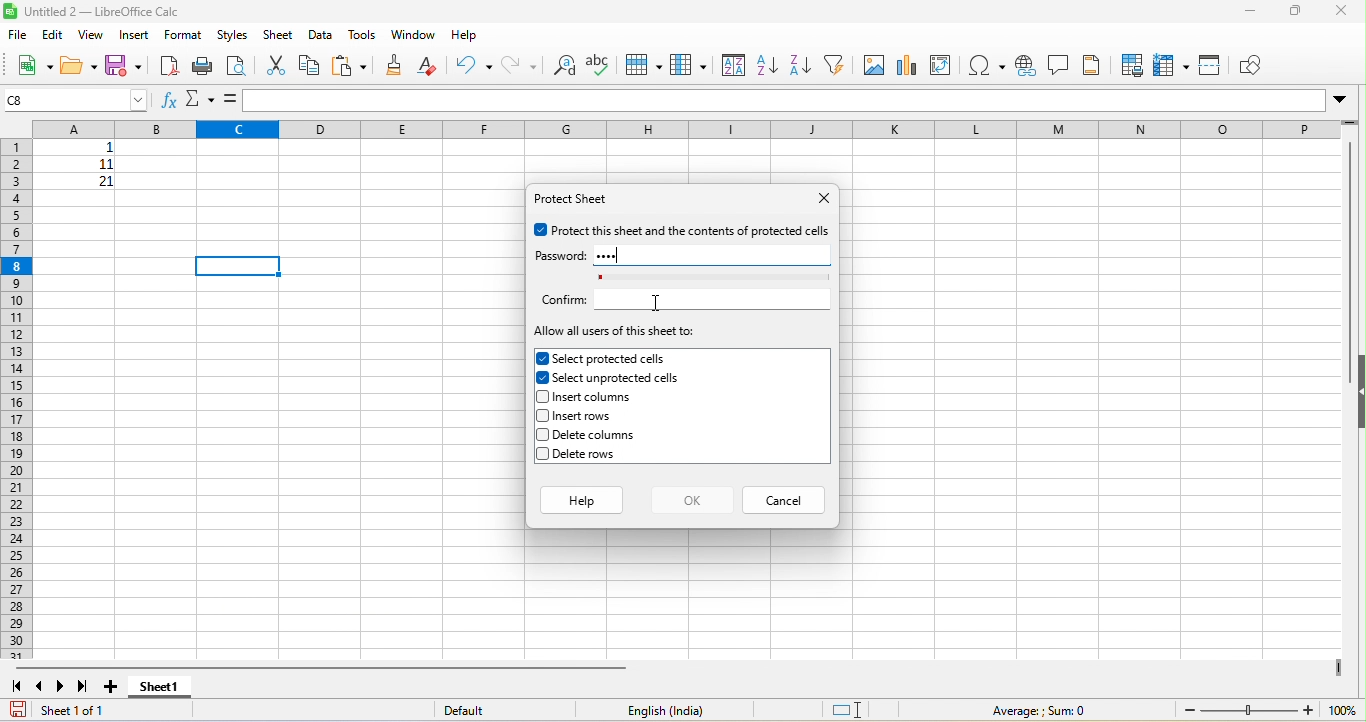 The image size is (1366, 722). I want to click on first sheet, so click(19, 685).